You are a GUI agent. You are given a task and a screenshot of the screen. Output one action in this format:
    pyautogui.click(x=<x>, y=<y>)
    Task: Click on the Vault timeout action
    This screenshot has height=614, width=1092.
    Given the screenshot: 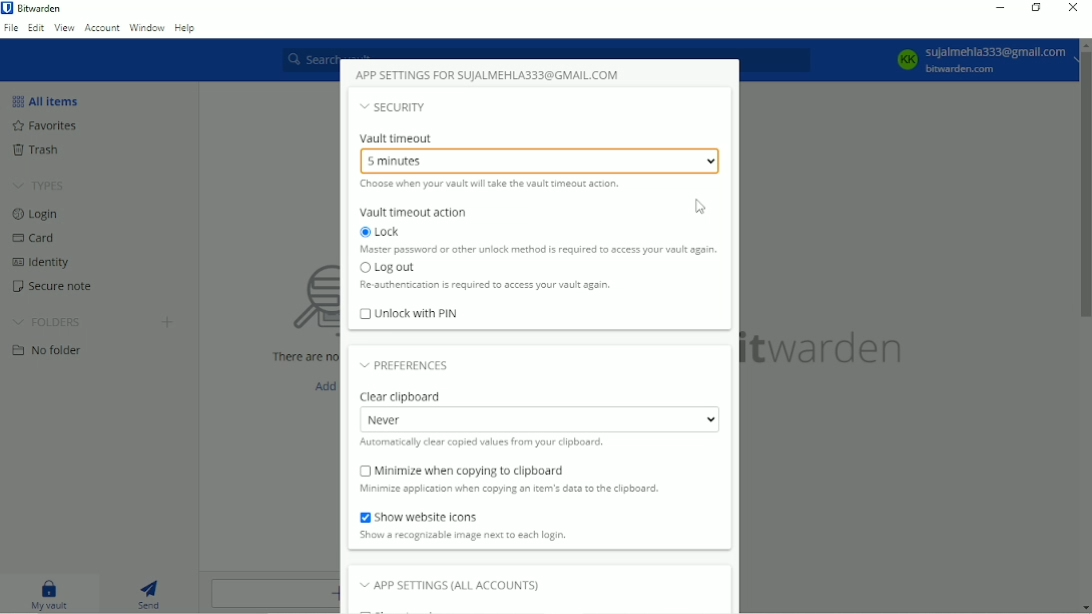 What is the action you would take?
    pyautogui.click(x=413, y=211)
    